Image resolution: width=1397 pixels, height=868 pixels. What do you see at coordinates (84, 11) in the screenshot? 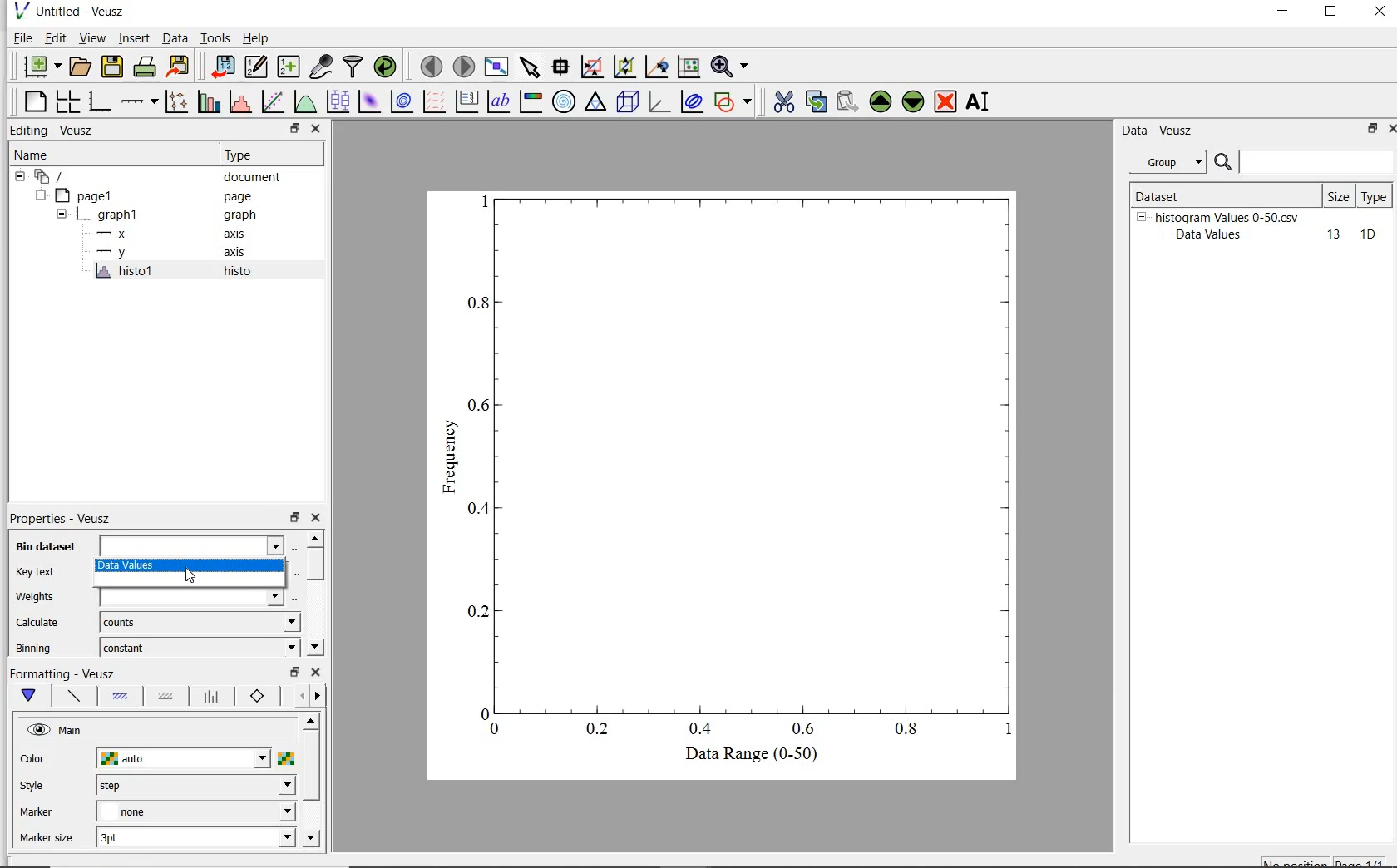
I see `Untitled - Veusz` at bounding box center [84, 11].